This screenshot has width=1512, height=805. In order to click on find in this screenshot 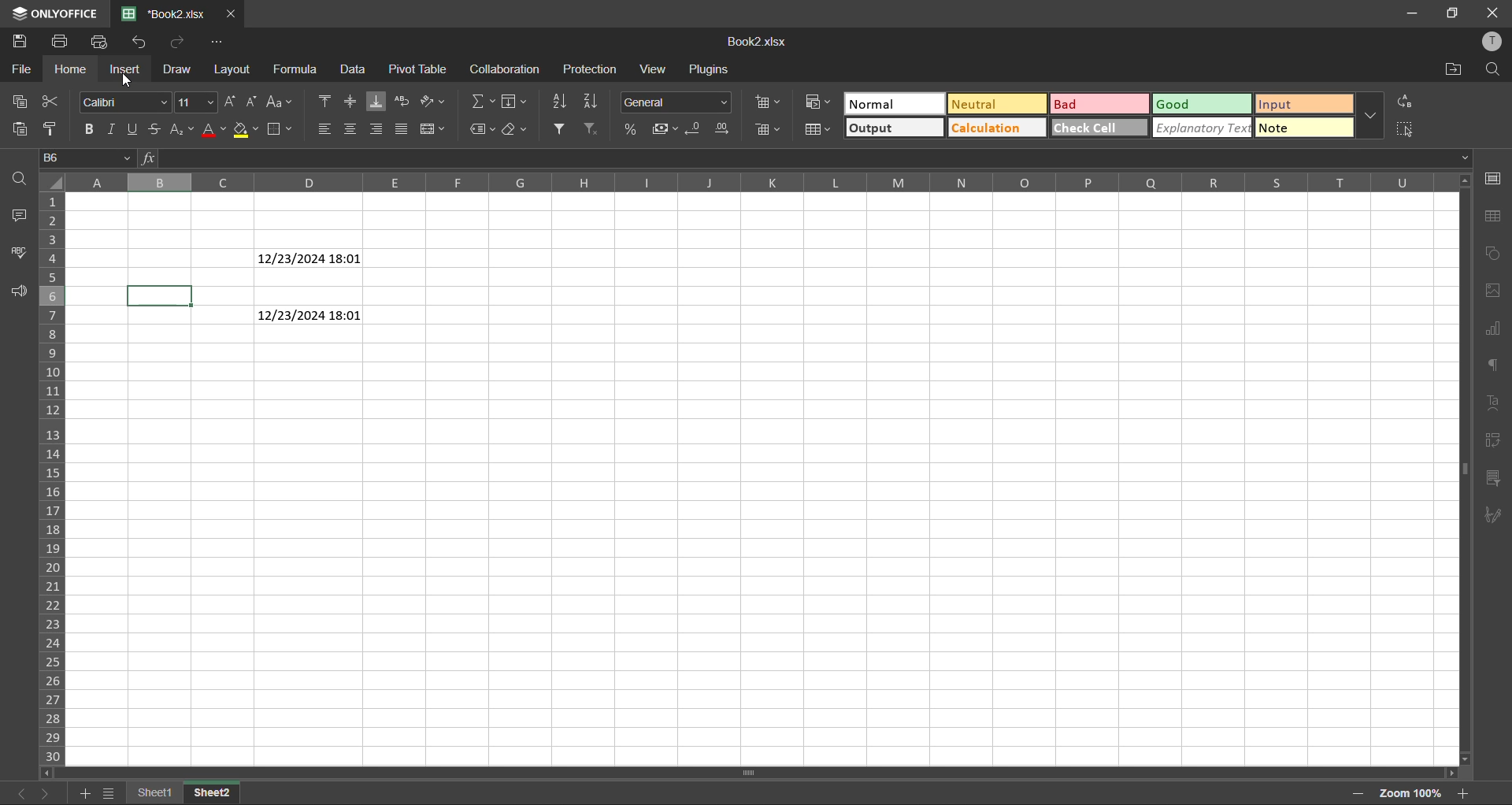, I will do `click(20, 177)`.